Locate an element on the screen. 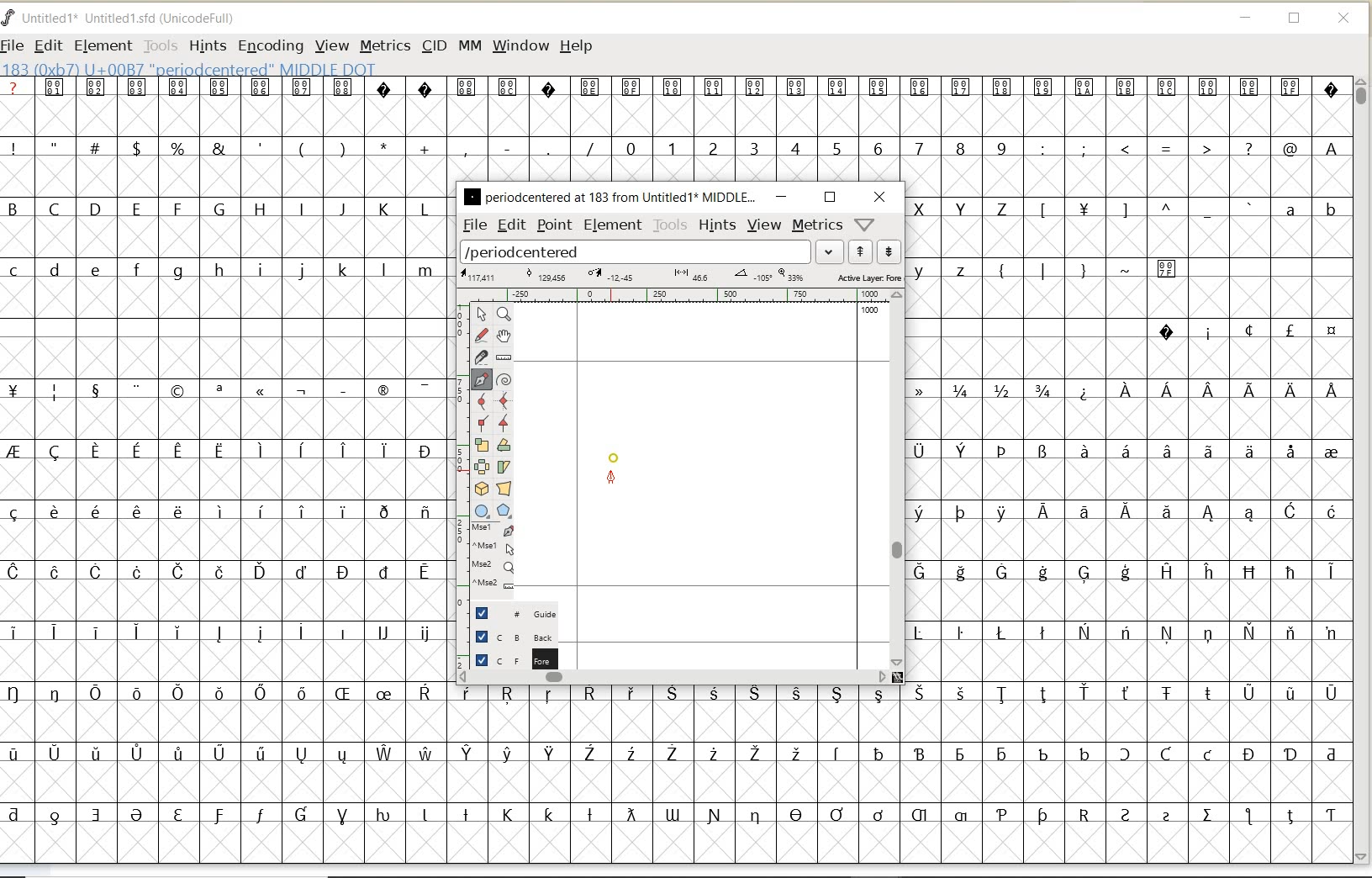 This screenshot has height=878, width=1372. VIEW is located at coordinates (332, 46).